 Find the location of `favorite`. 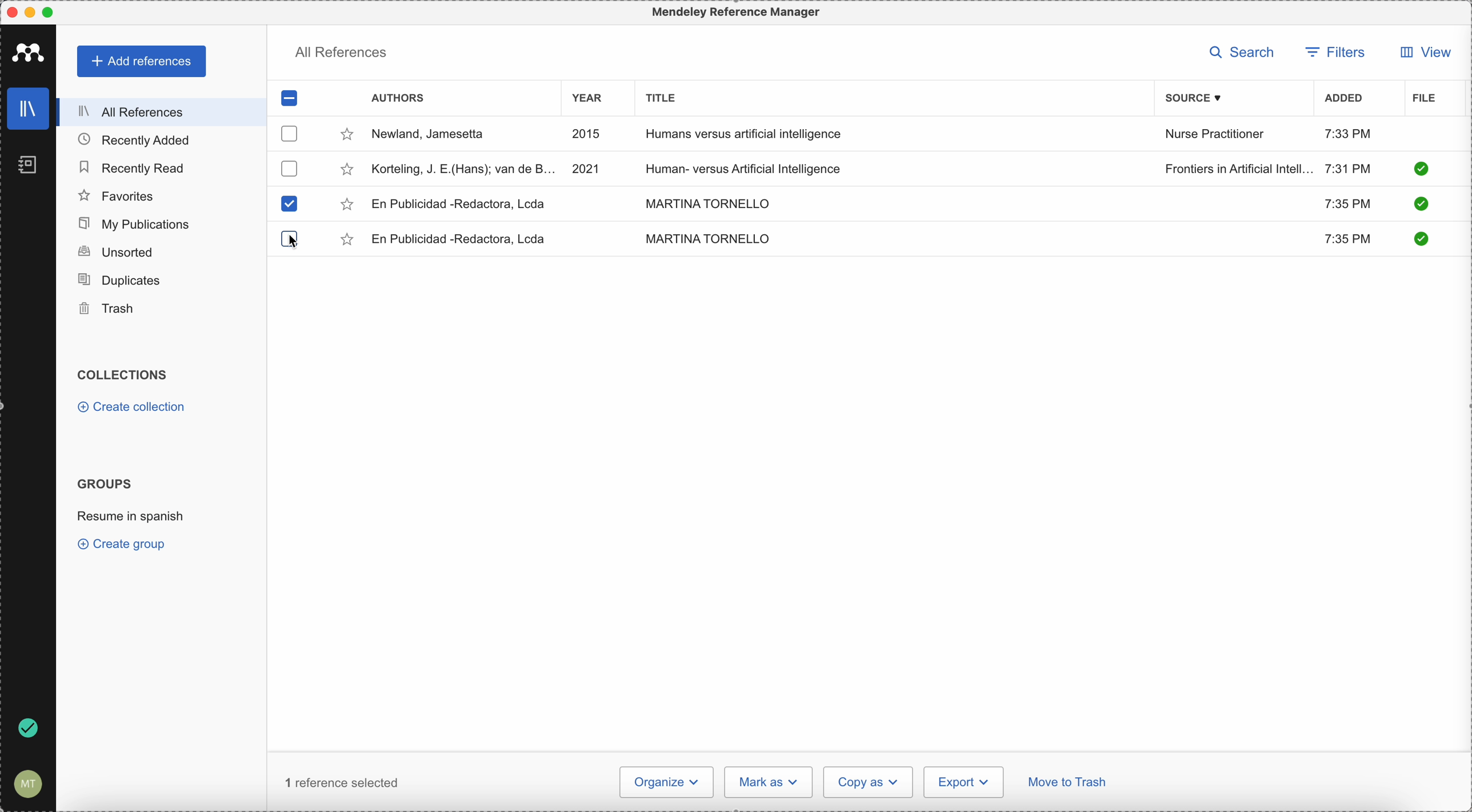

favorite is located at coordinates (346, 205).